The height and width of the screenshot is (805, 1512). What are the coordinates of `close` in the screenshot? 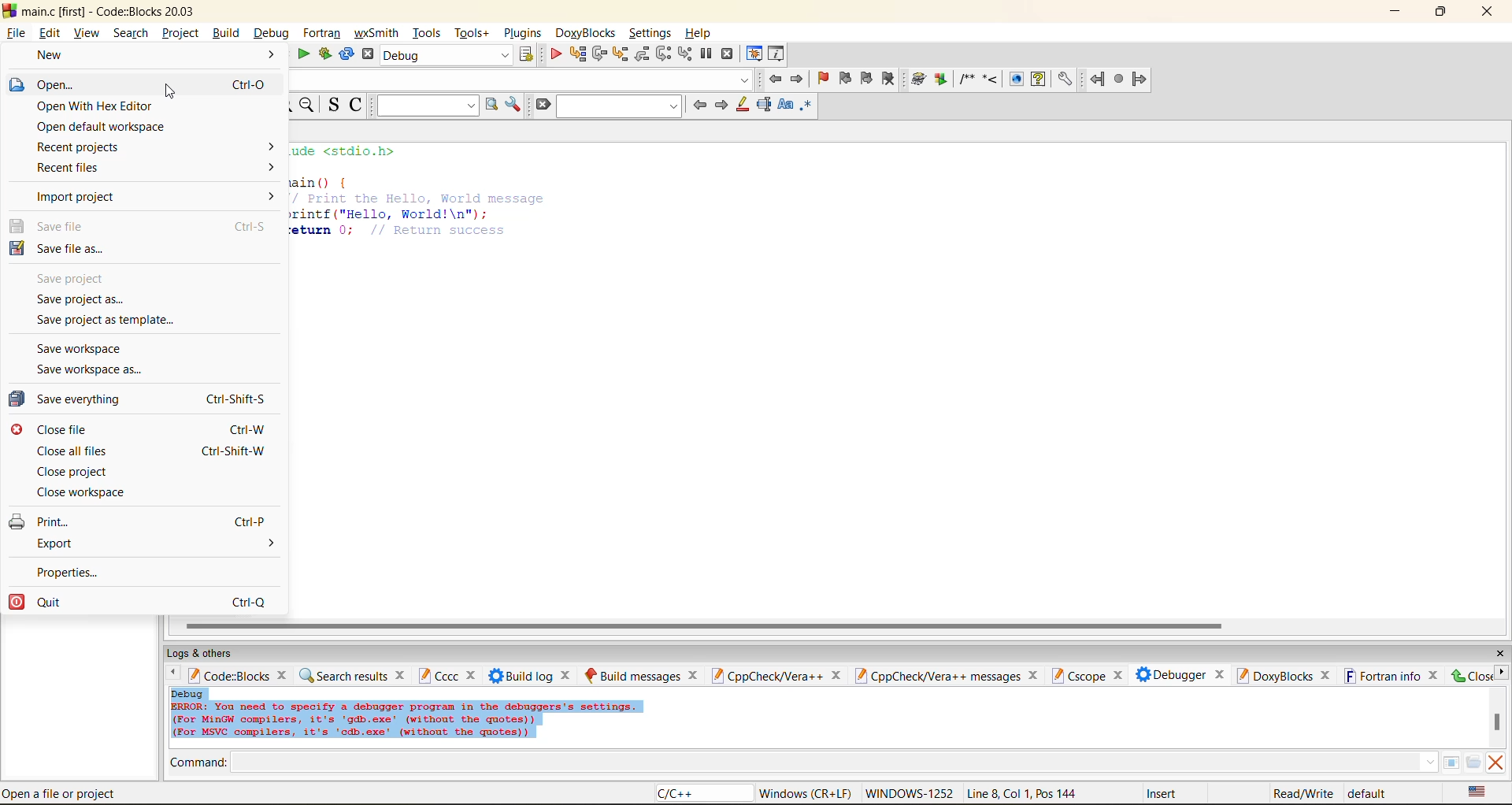 It's located at (694, 675).